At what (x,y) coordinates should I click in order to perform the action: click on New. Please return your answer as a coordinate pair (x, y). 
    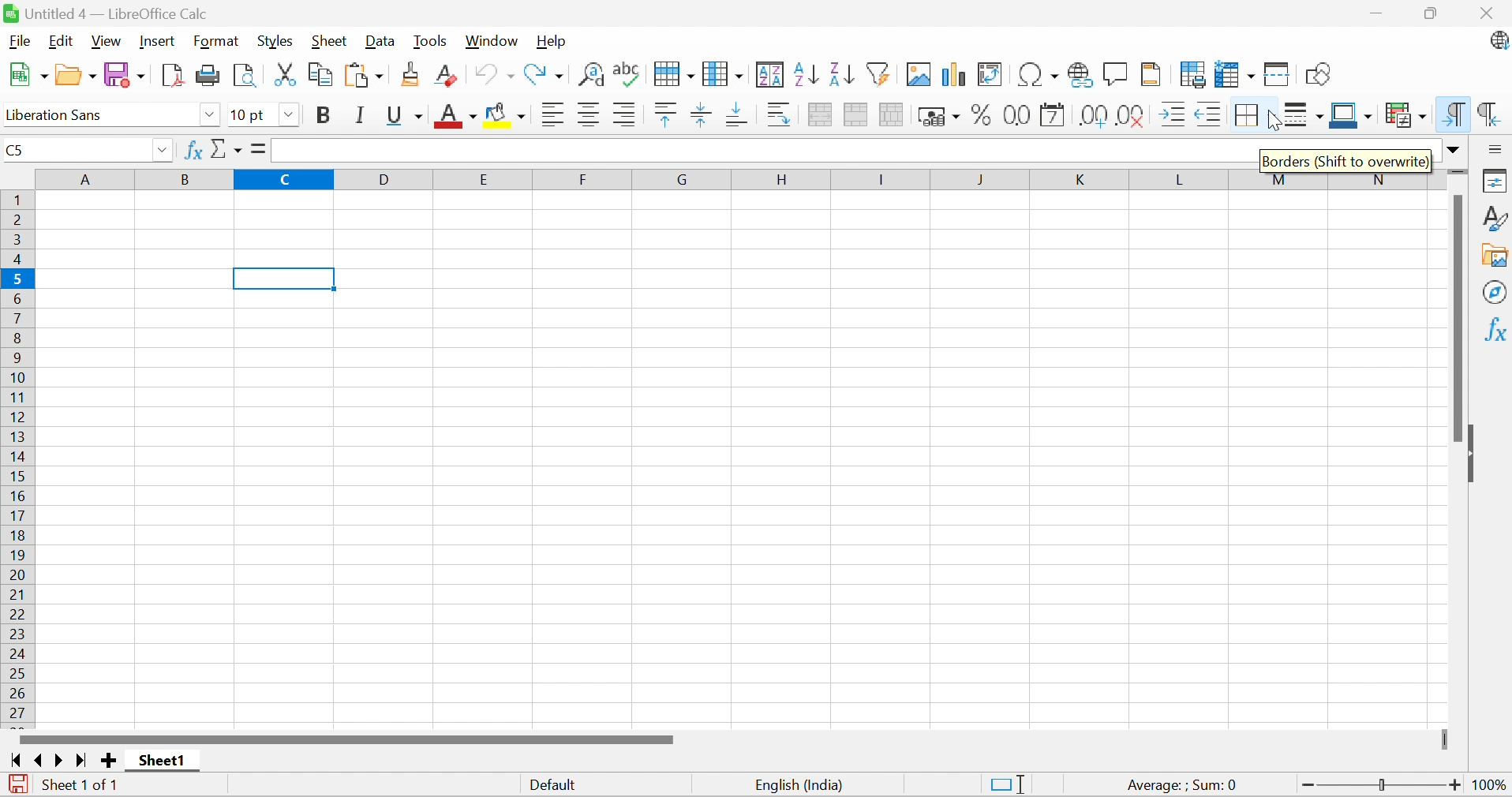
    Looking at the image, I should click on (28, 75).